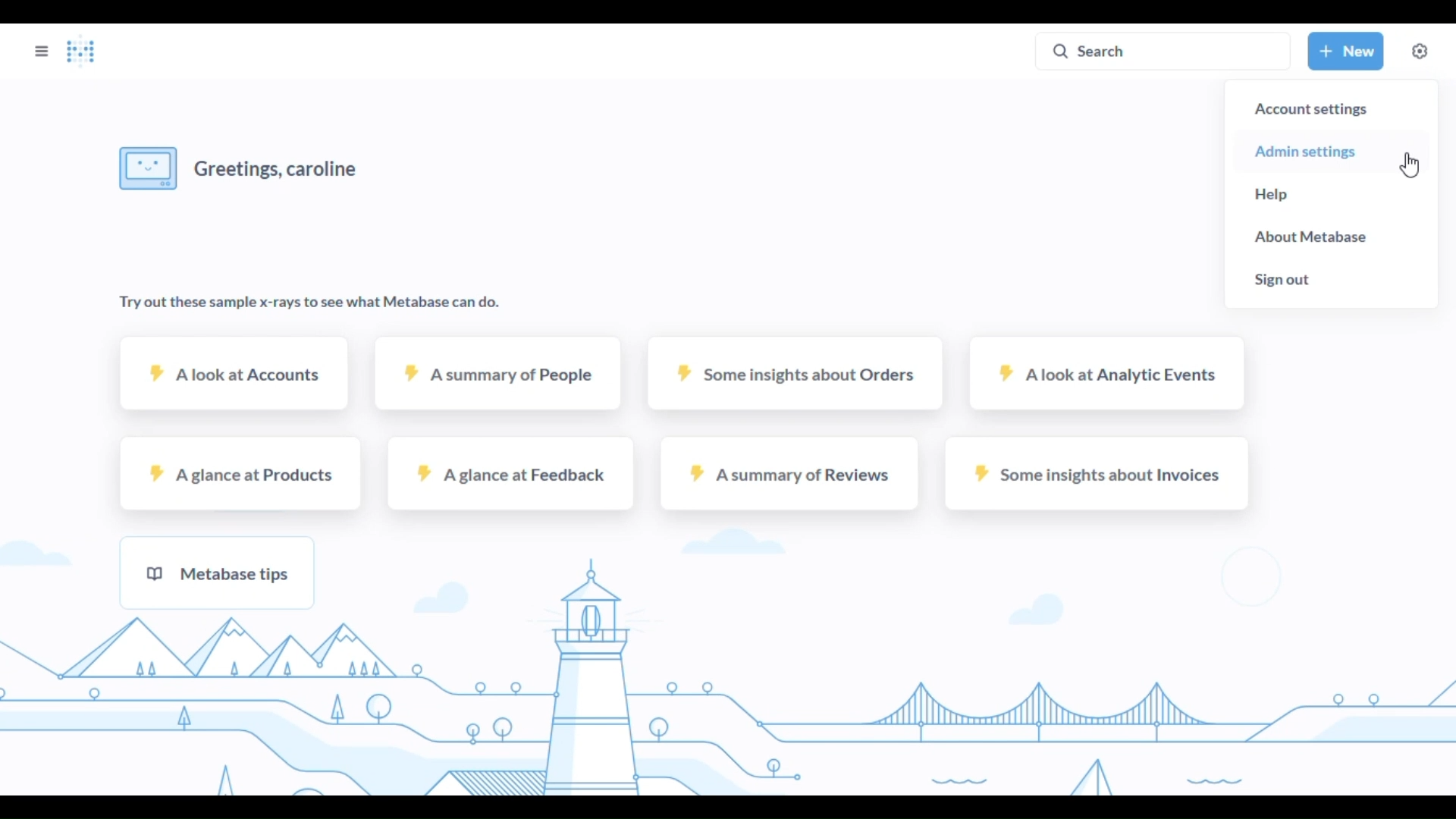 This screenshot has height=819, width=1456. Describe the element at coordinates (508, 474) in the screenshot. I see `a glance at feedback` at that location.